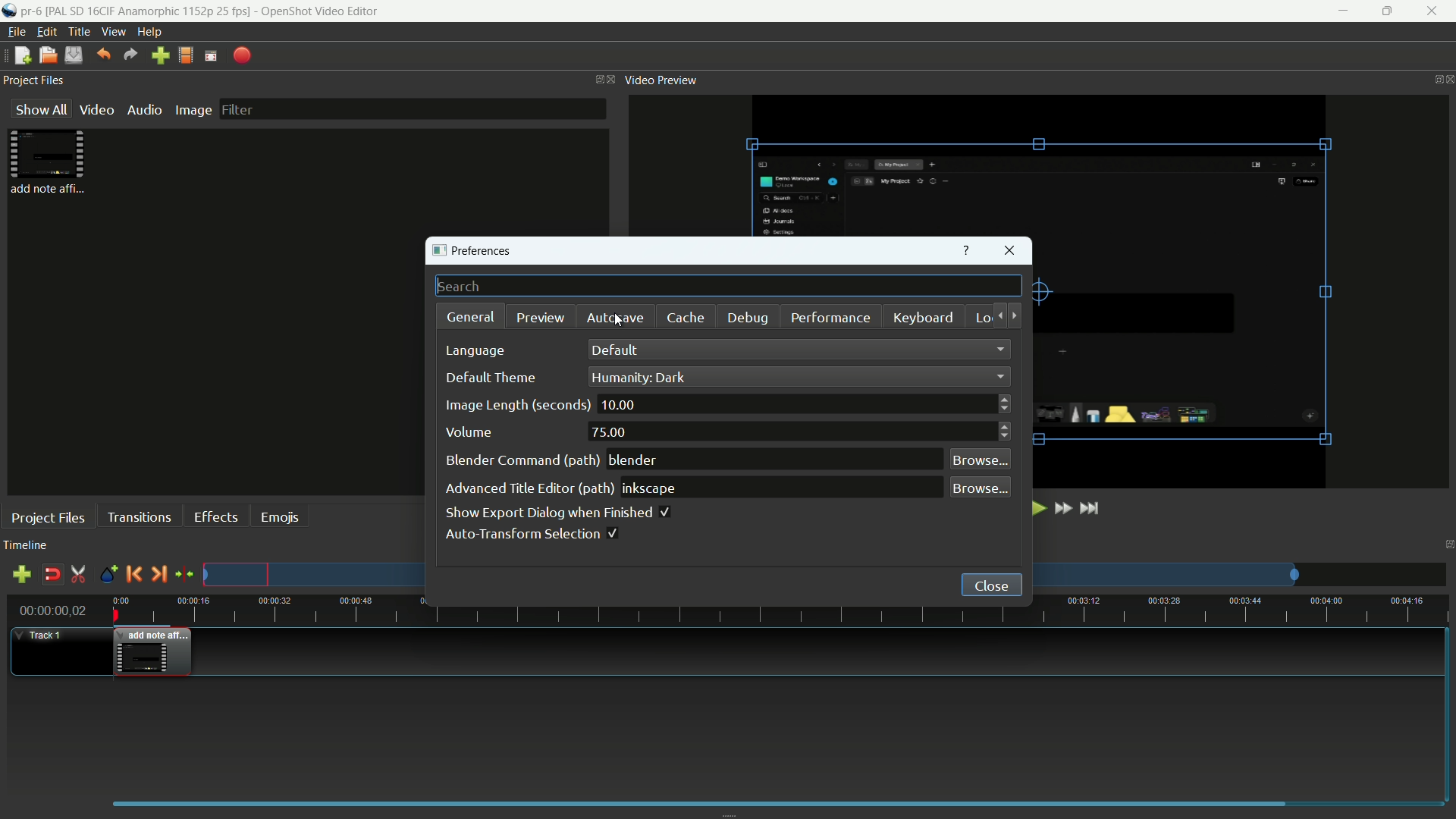  I want to click on default, so click(615, 350).